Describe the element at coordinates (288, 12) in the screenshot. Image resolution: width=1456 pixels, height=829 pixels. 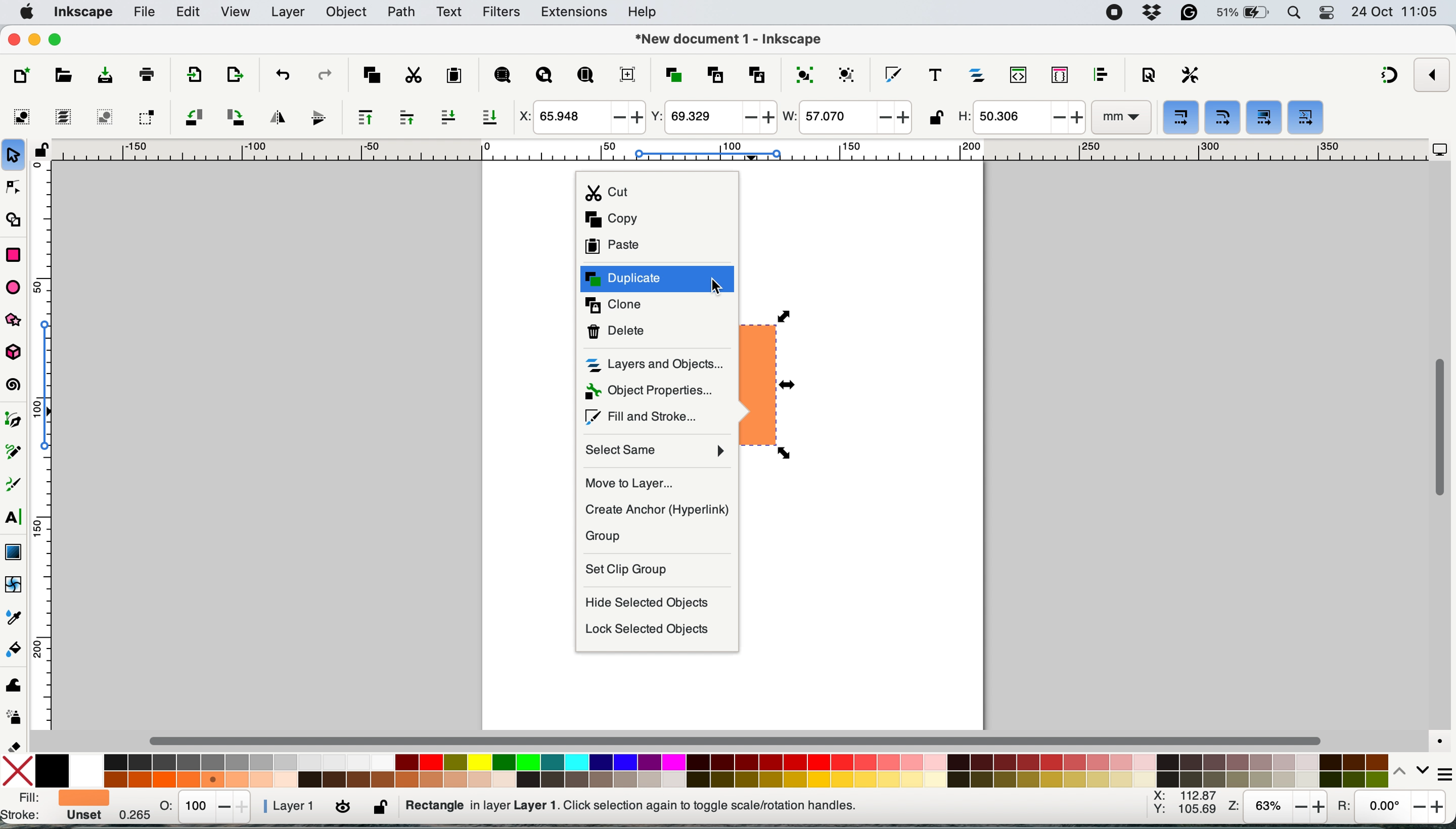
I see `layers` at that location.